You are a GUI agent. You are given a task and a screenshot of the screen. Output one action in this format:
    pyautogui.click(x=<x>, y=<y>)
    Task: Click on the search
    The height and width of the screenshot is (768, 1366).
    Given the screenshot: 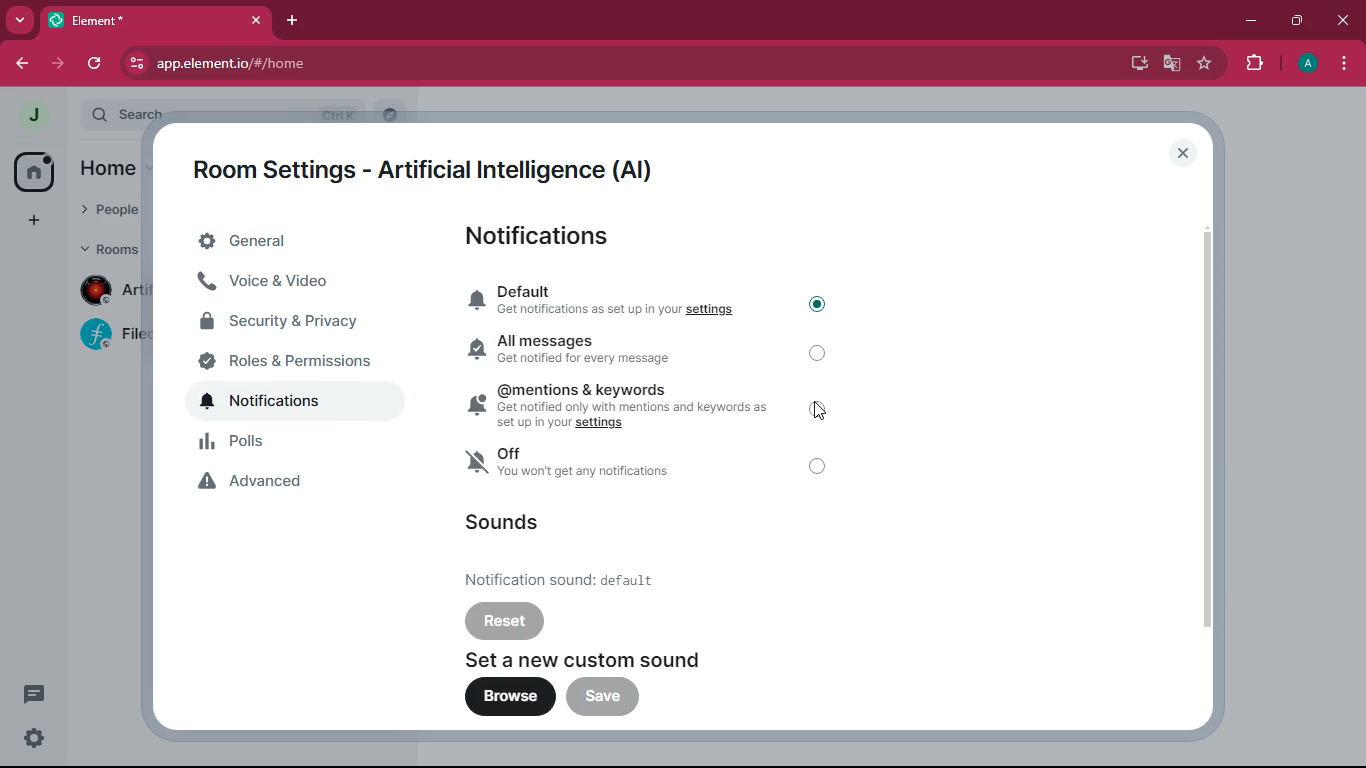 What is the action you would take?
    pyautogui.click(x=216, y=113)
    